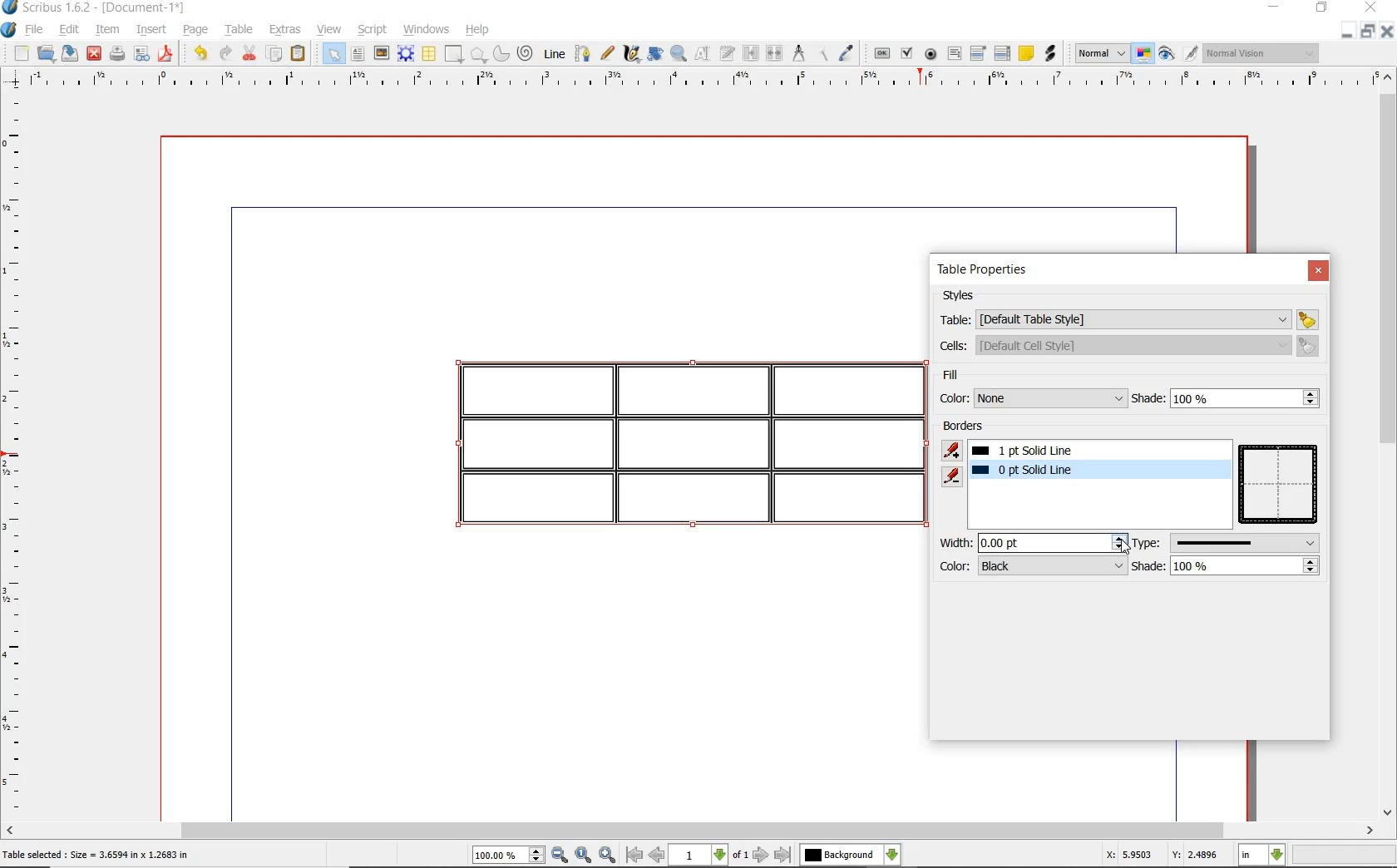 The image size is (1397, 868). Describe the element at coordinates (693, 81) in the screenshot. I see `ruler` at that location.